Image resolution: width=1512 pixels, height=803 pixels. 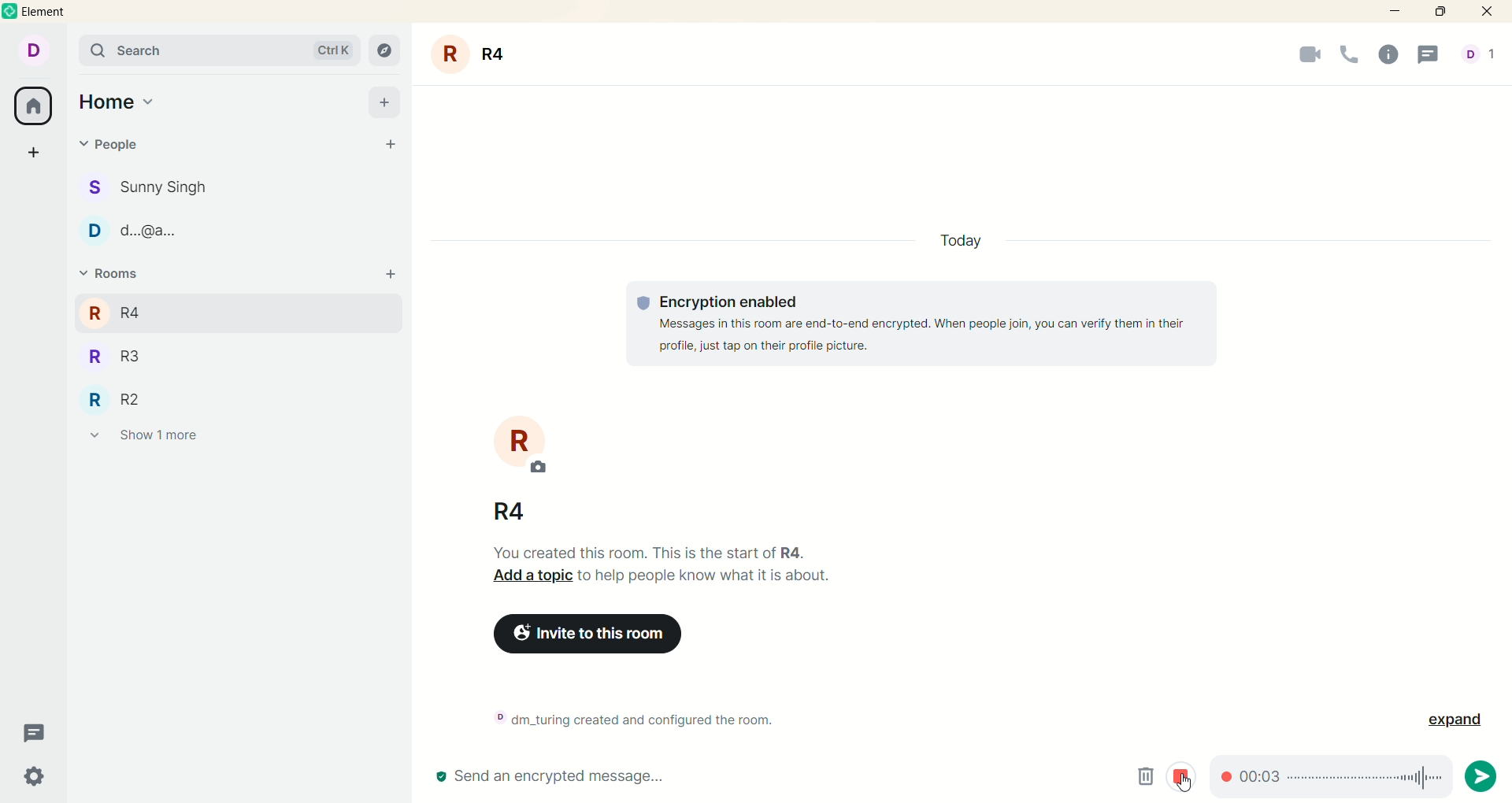 I want to click on people, so click(x=1478, y=56).